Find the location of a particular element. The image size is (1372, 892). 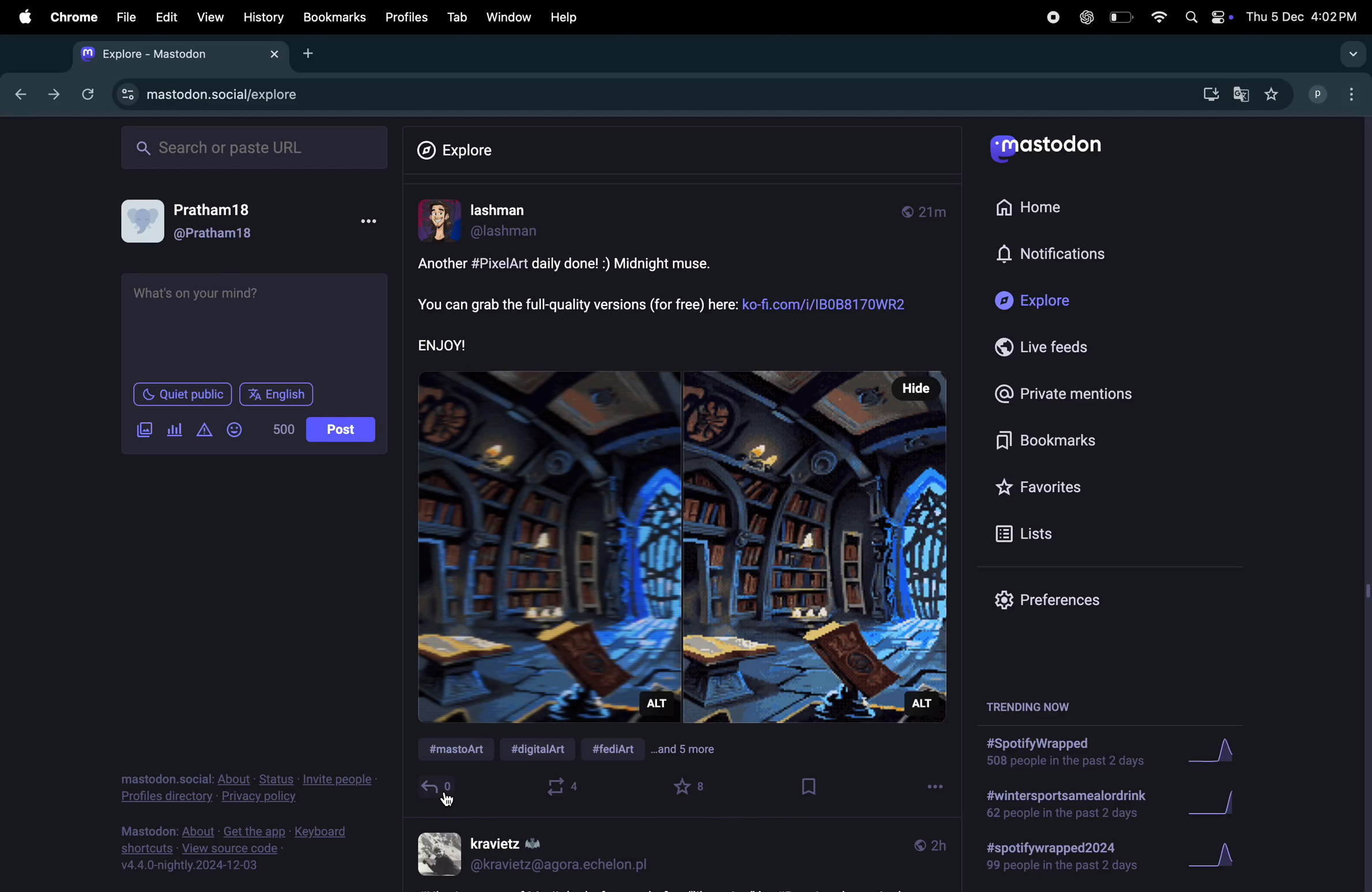

profile  is located at coordinates (1337, 95).